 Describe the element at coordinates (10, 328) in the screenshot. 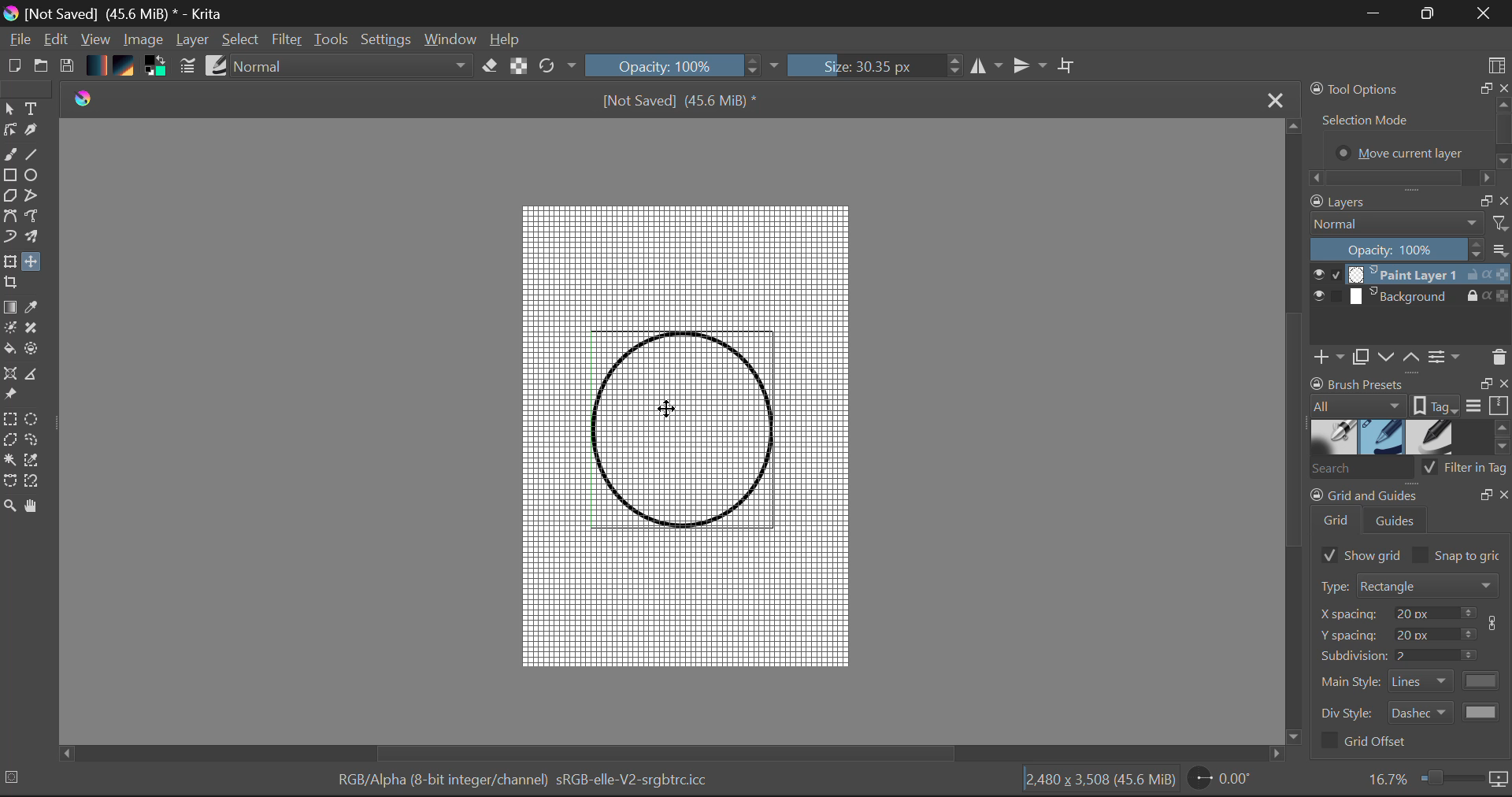

I see `Colorize Mask Tool` at that location.